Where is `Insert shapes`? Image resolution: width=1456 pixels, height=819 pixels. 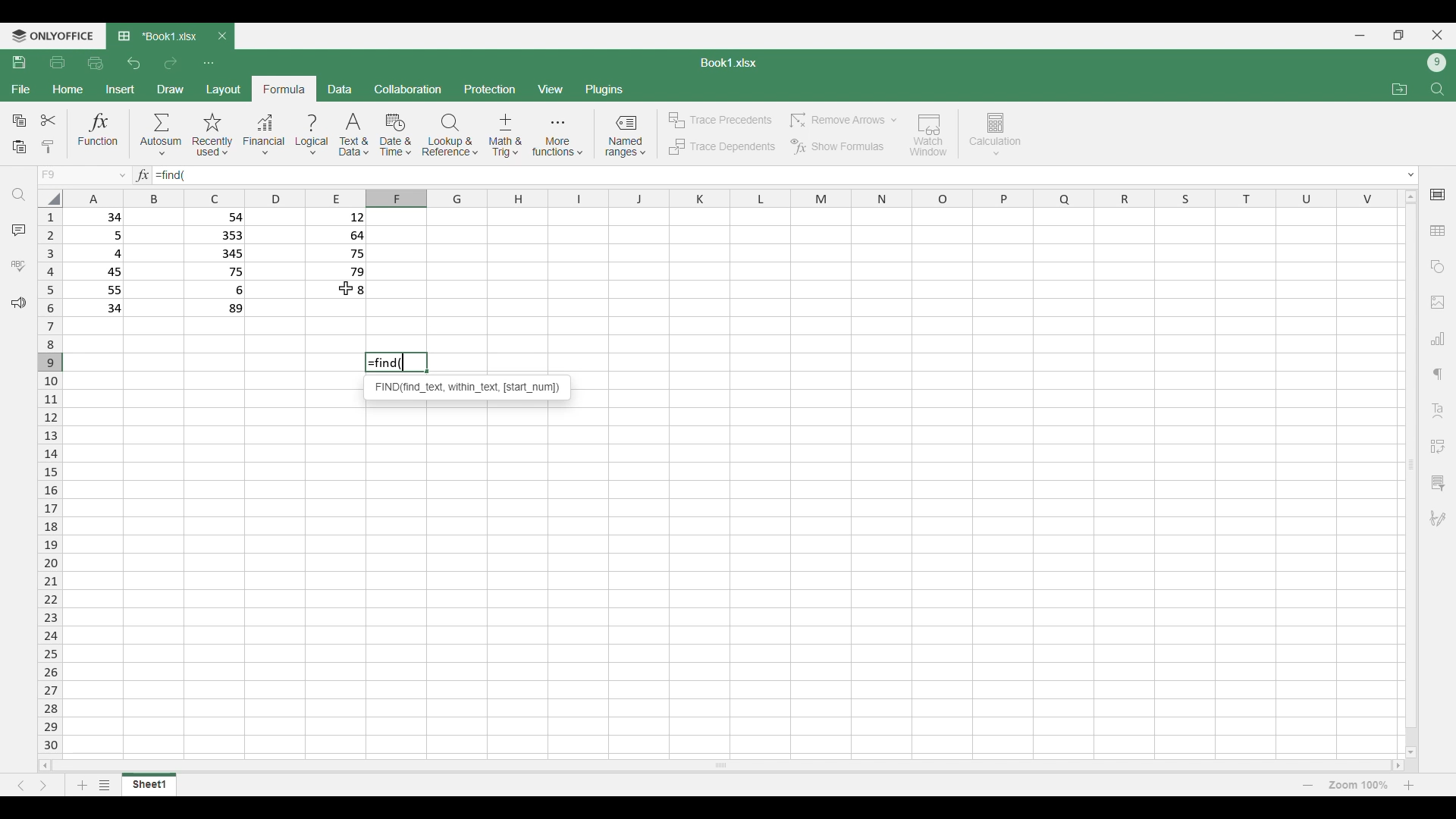 Insert shapes is located at coordinates (1438, 267).